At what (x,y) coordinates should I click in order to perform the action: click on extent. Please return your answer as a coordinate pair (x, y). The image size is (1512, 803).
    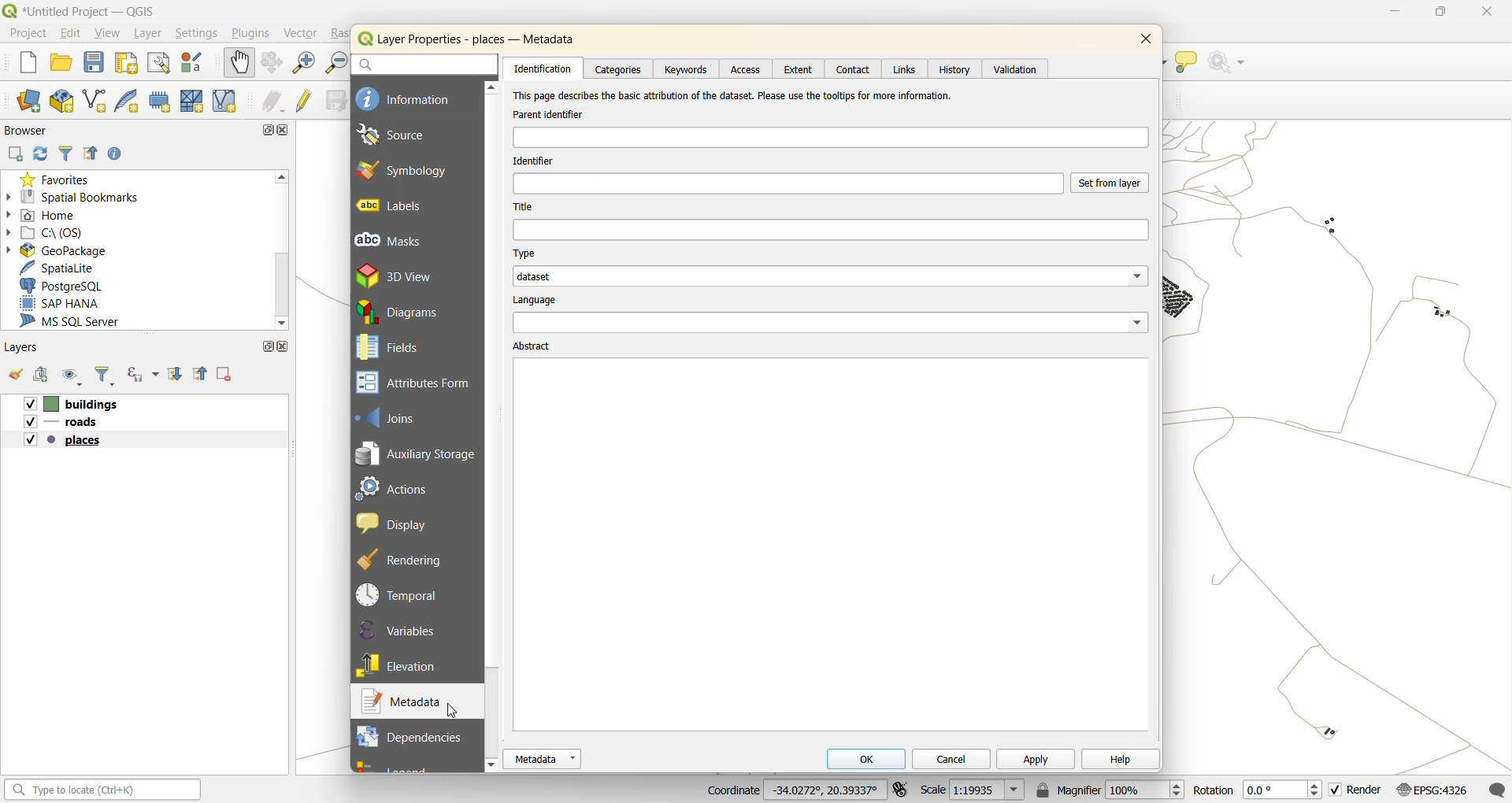
    Looking at the image, I should click on (800, 69).